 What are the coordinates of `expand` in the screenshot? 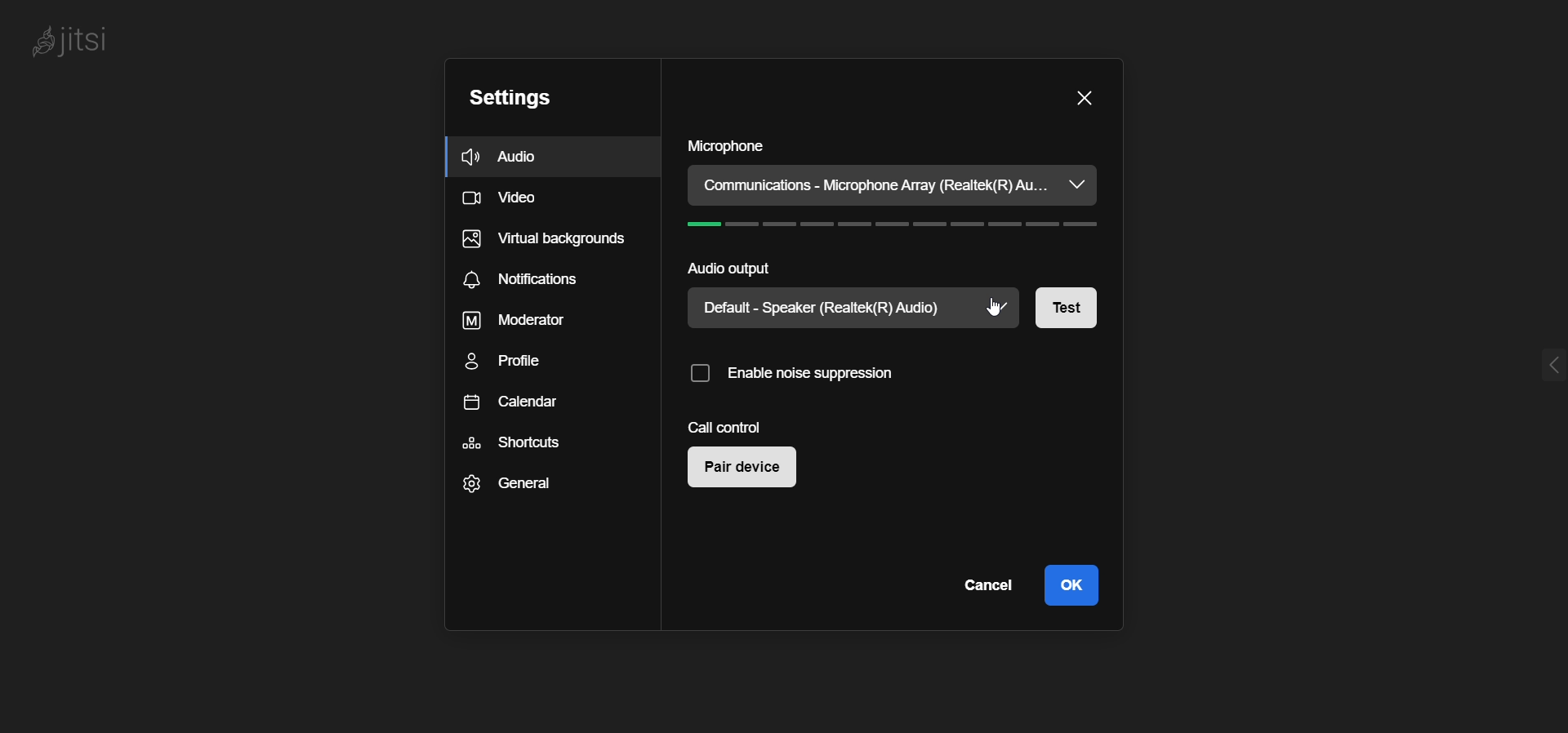 It's located at (1548, 366).